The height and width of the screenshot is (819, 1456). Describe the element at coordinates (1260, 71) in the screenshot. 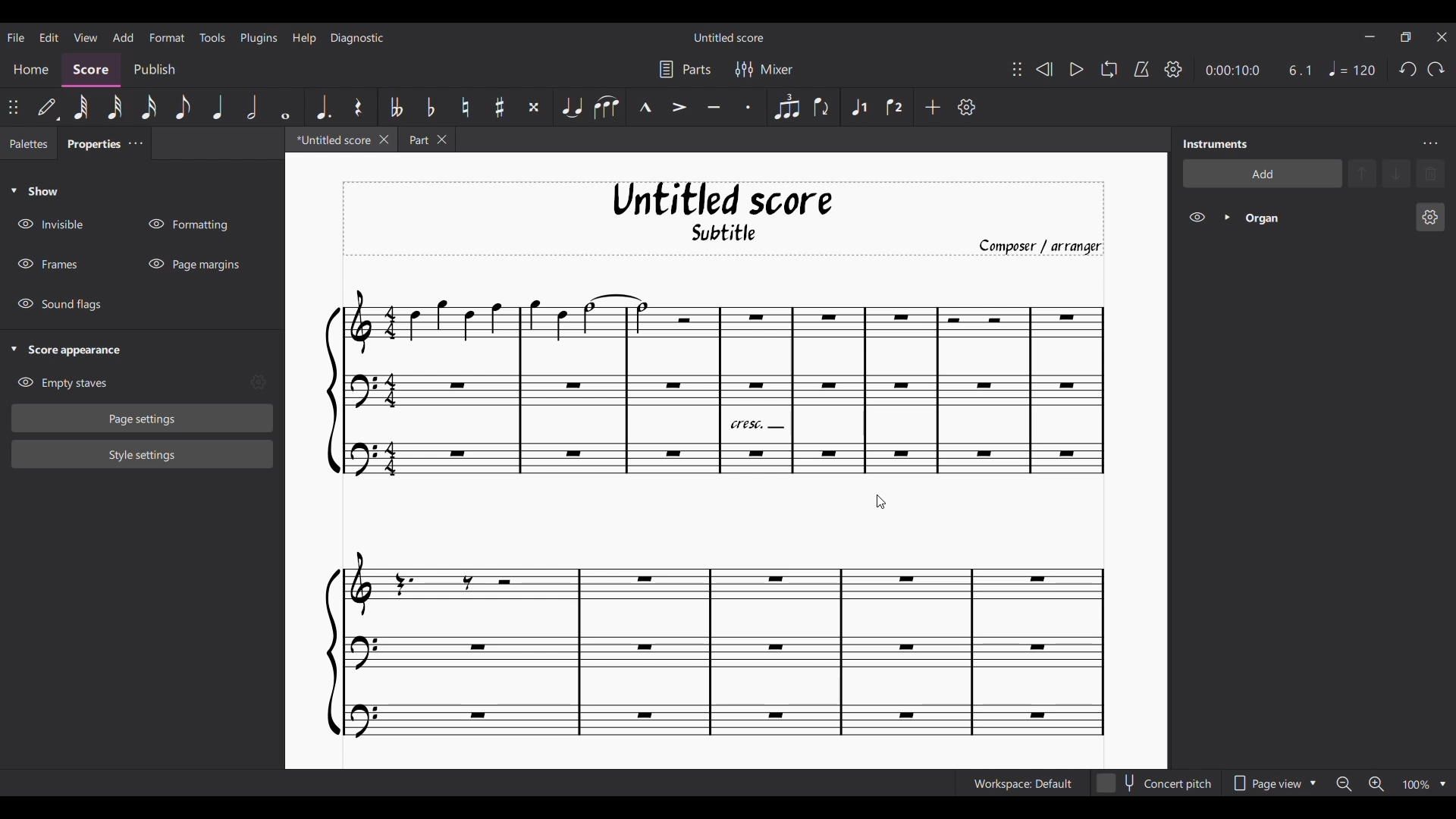

I see `Current ratio and duration ` at that location.